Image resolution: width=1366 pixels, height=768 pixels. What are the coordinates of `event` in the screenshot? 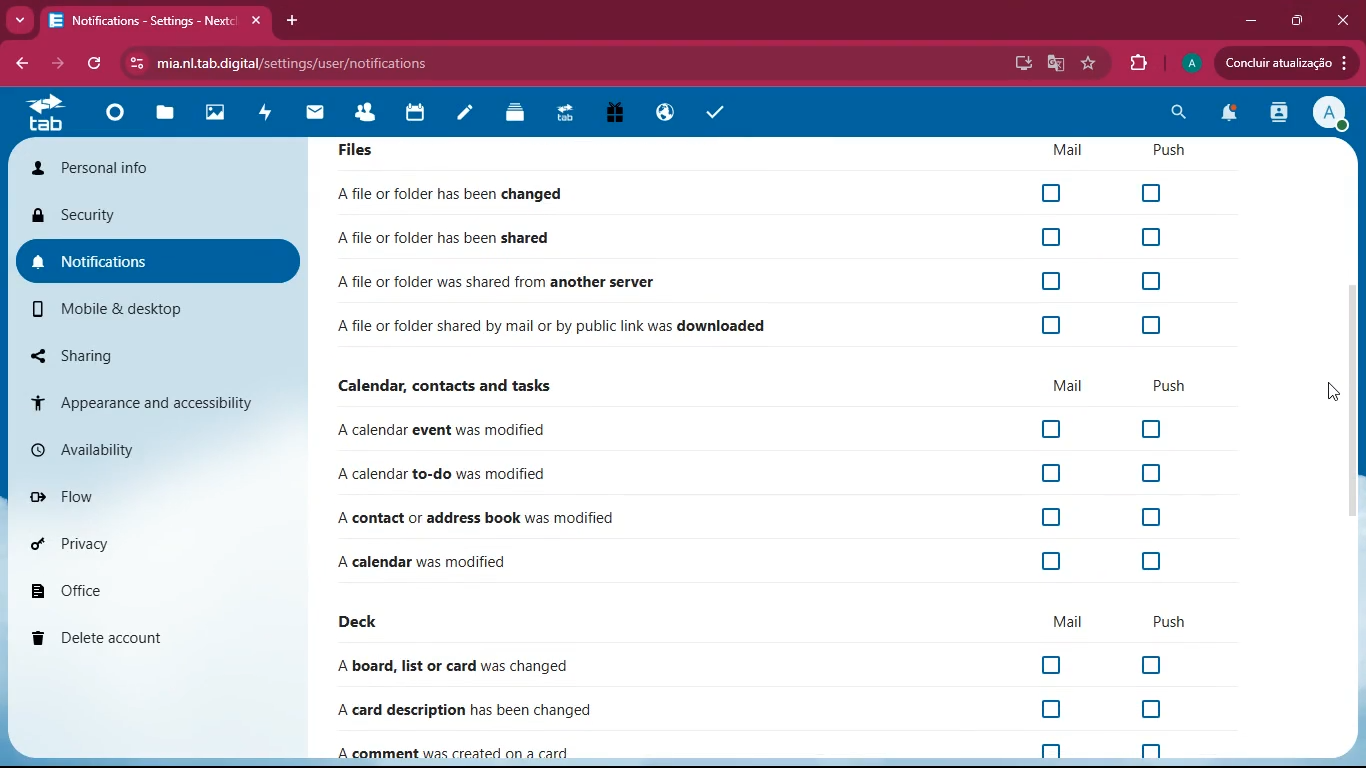 It's located at (543, 430).